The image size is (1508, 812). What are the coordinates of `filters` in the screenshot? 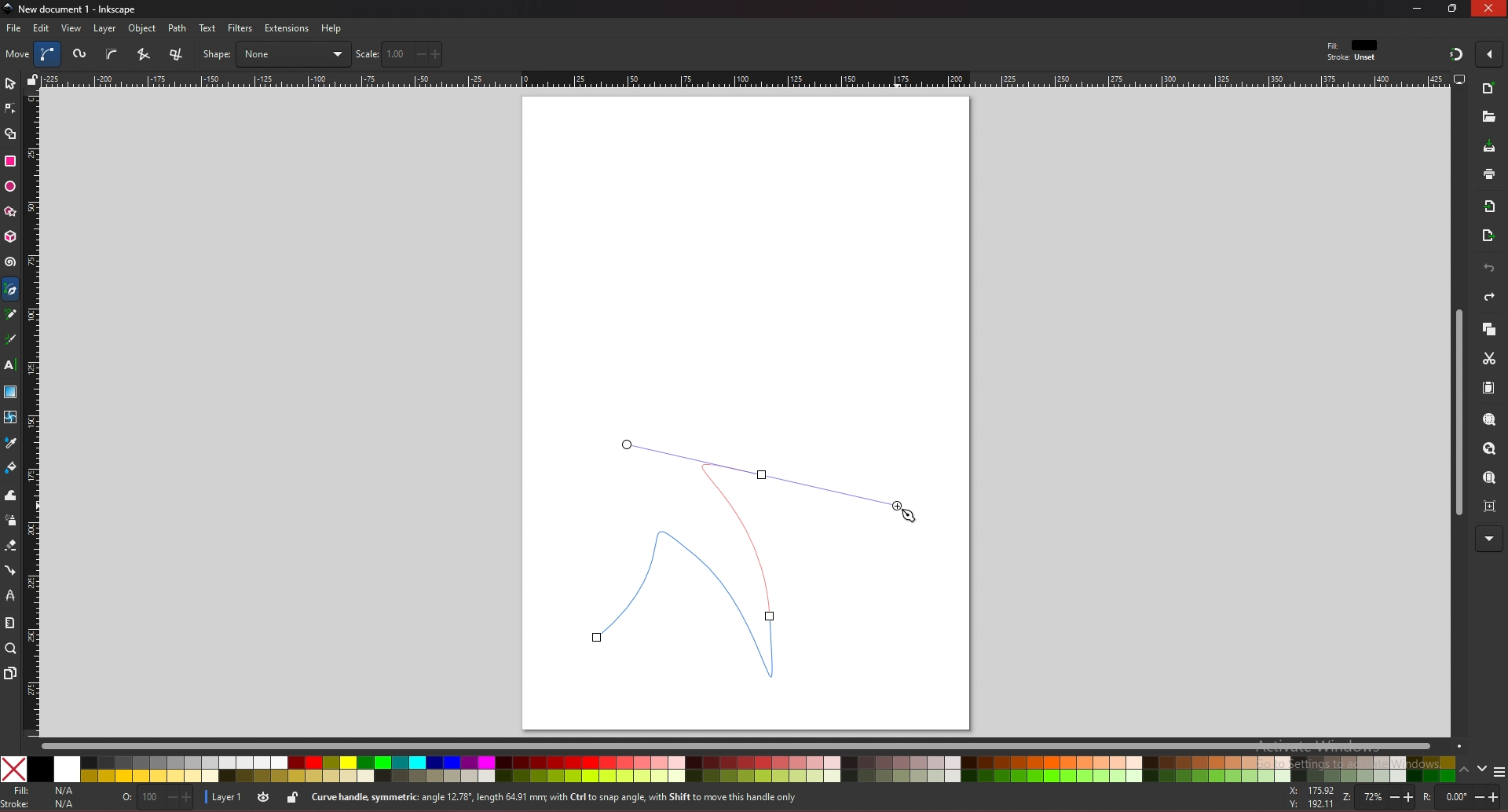 It's located at (241, 28).